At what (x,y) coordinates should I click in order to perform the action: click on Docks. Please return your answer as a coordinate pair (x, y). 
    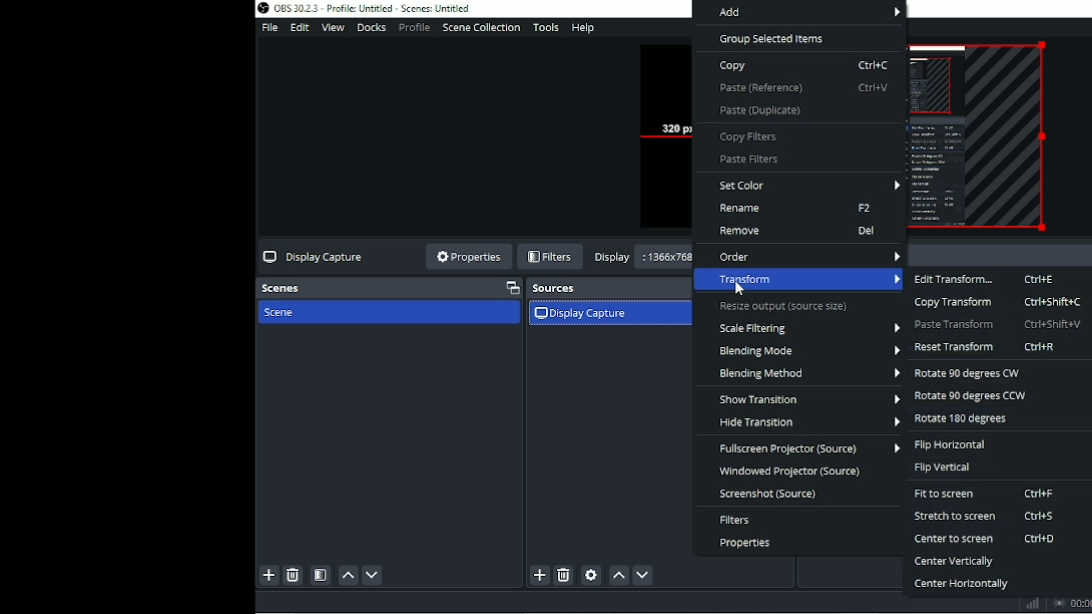
    Looking at the image, I should click on (370, 28).